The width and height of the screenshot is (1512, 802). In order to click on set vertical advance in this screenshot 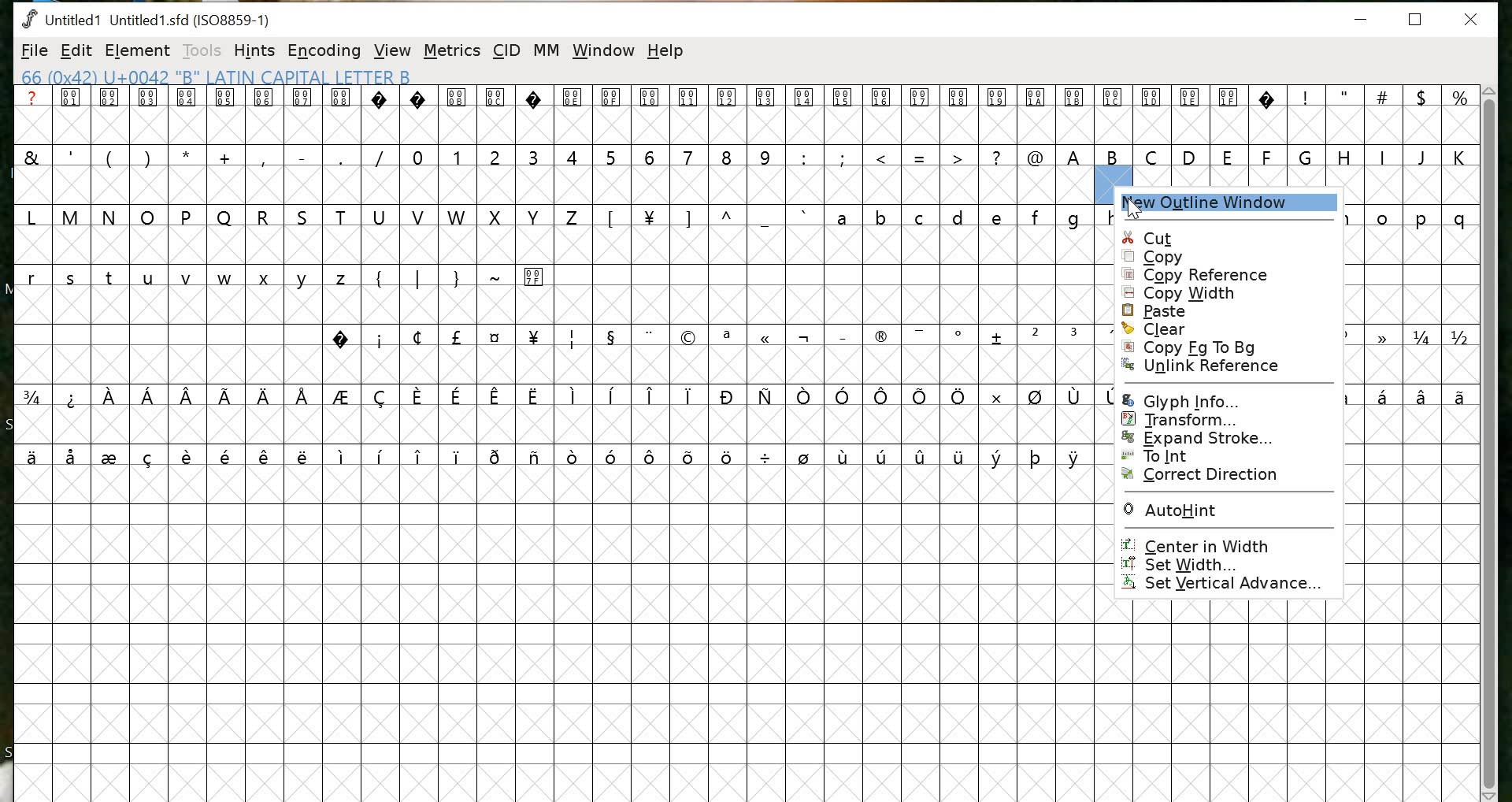, I will do `click(1228, 584)`.